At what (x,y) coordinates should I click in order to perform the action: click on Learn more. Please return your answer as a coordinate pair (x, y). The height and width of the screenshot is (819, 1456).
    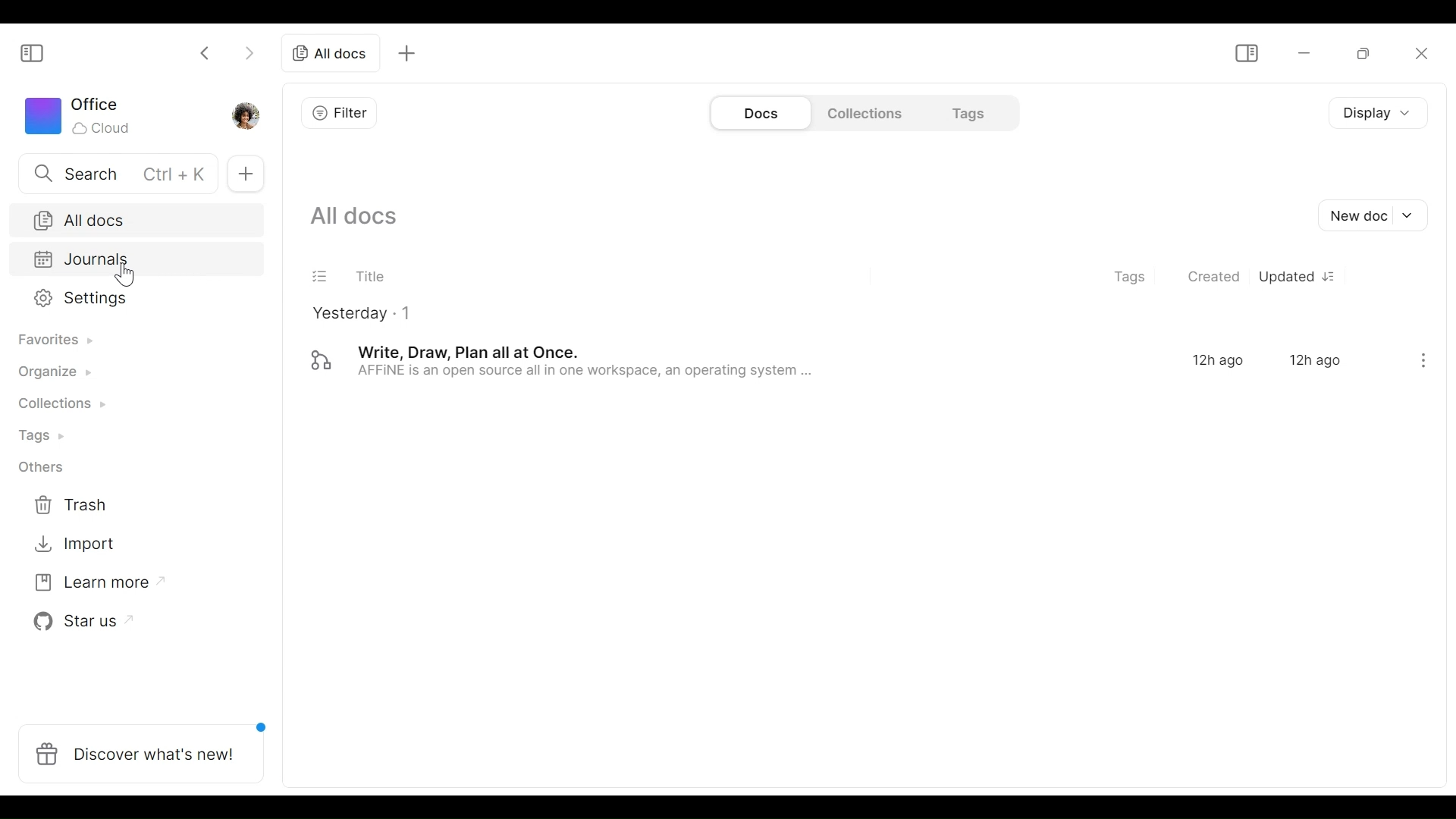
    Looking at the image, I should click on (92, 585).